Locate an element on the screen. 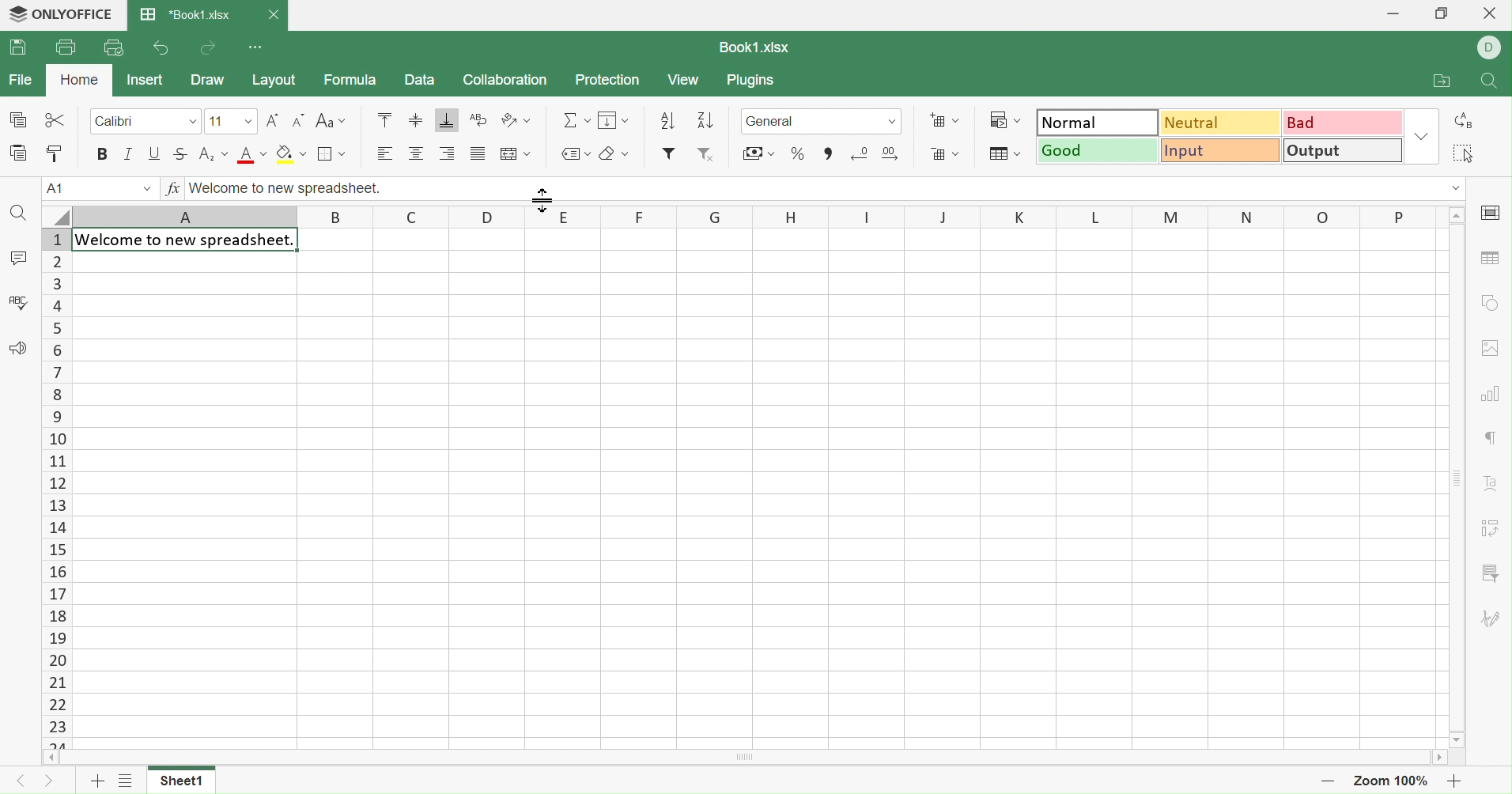 The image size is (1512, 794). Welcome to new spreadsheet. is located at coordinates (289, 188).